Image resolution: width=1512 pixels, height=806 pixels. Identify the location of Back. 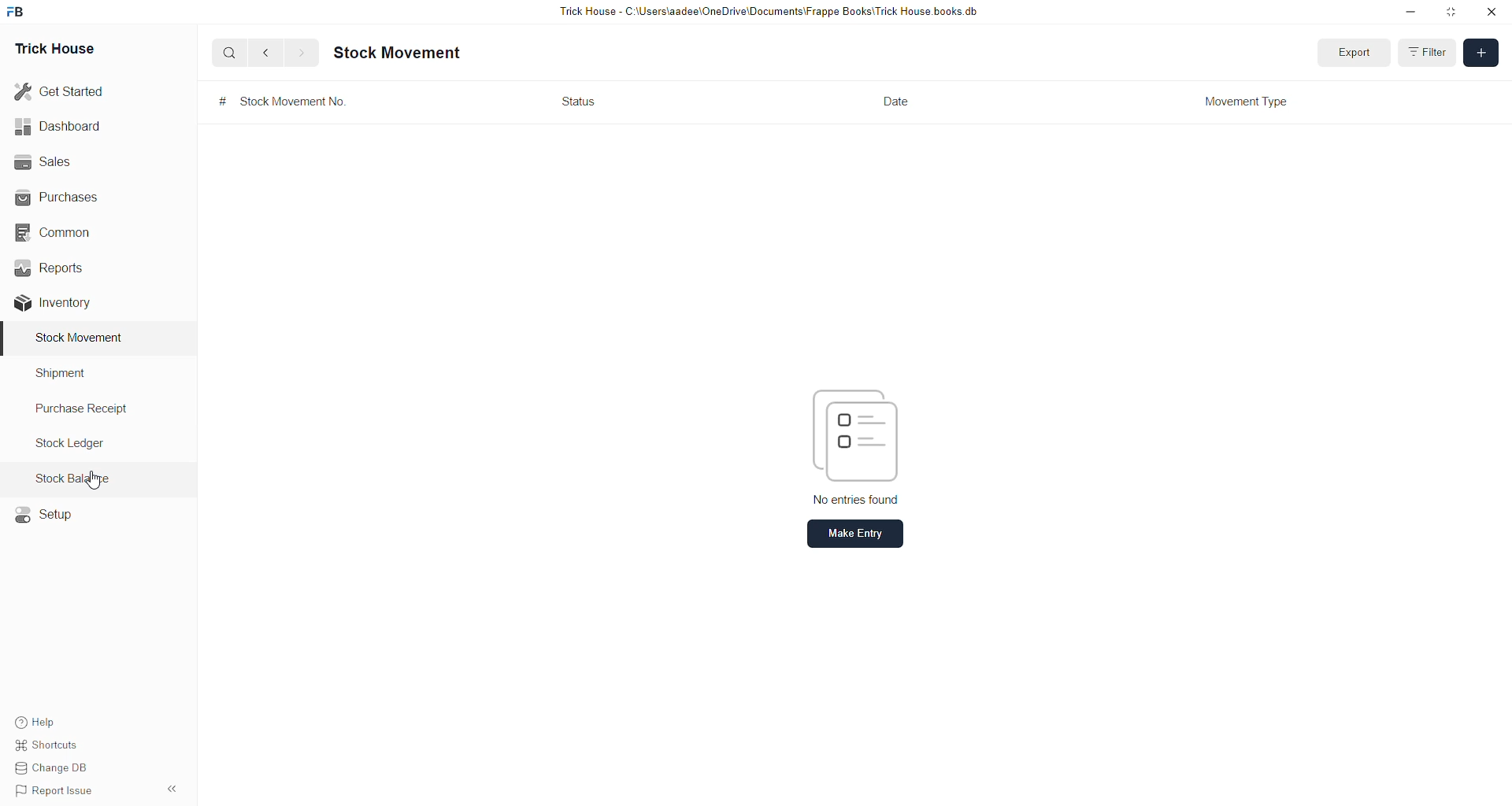
(266, 54).